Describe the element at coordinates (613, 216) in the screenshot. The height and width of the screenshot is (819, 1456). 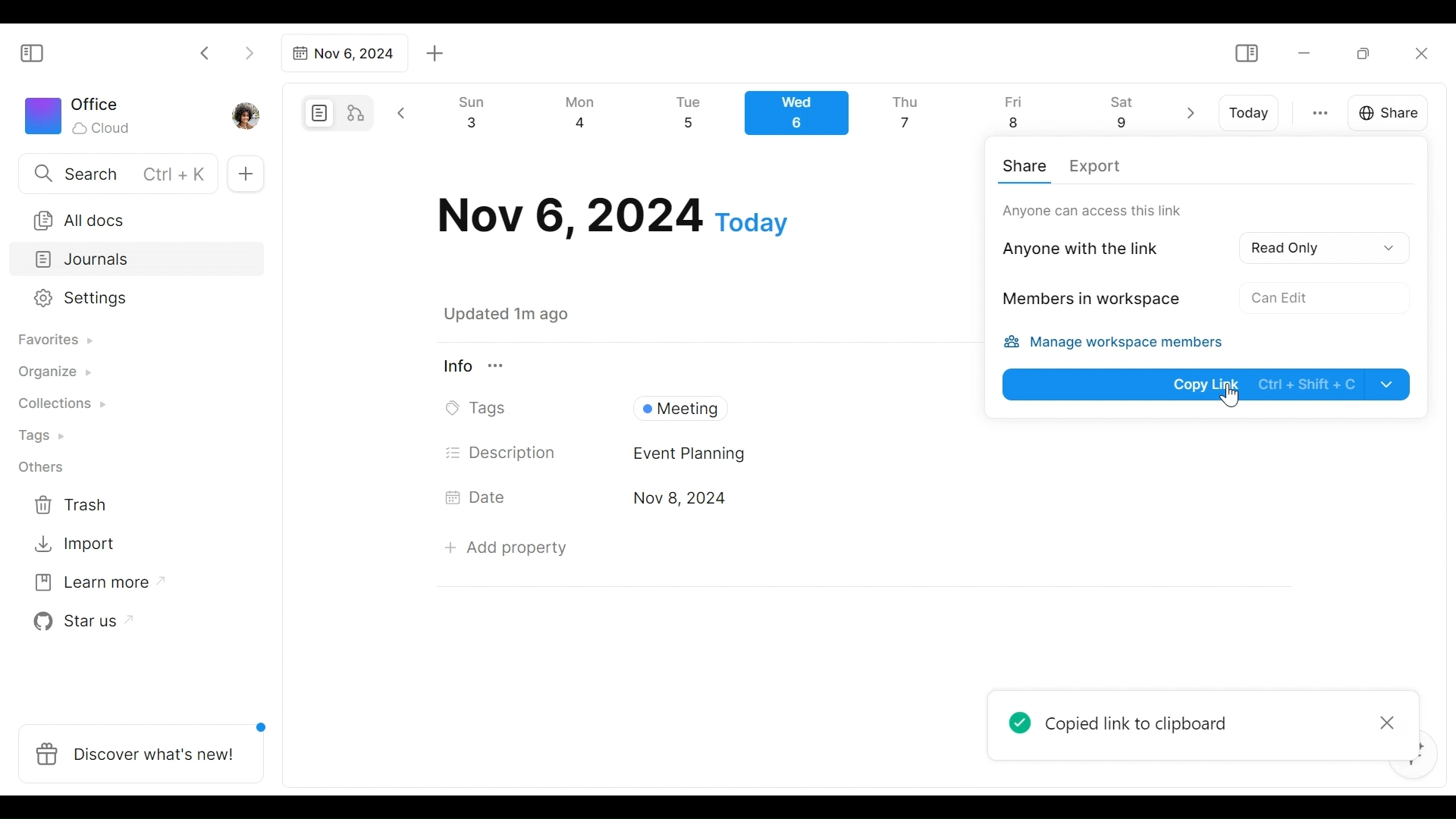
I see `Date` at that location.